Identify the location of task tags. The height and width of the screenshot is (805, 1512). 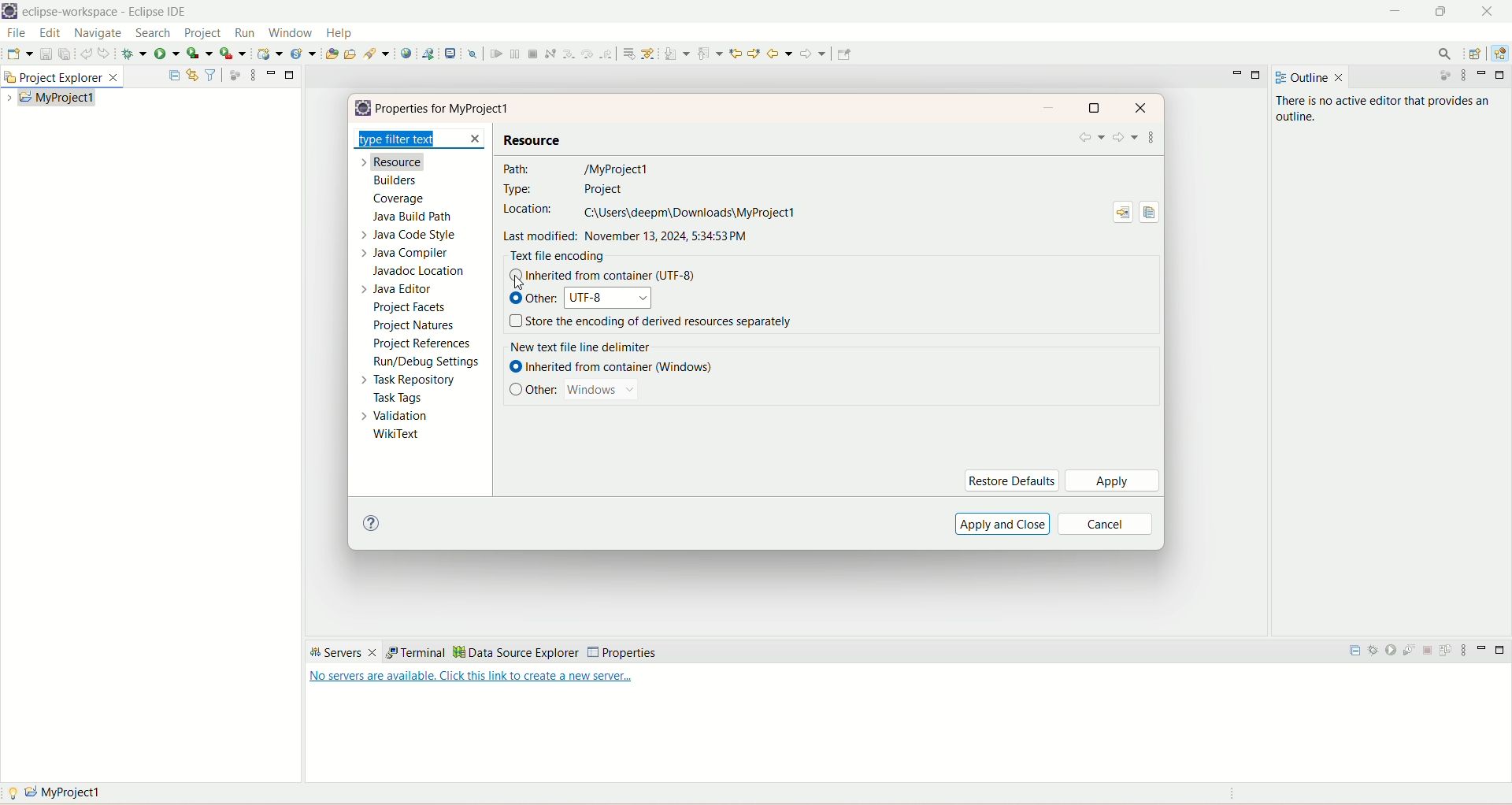
(401, 399).